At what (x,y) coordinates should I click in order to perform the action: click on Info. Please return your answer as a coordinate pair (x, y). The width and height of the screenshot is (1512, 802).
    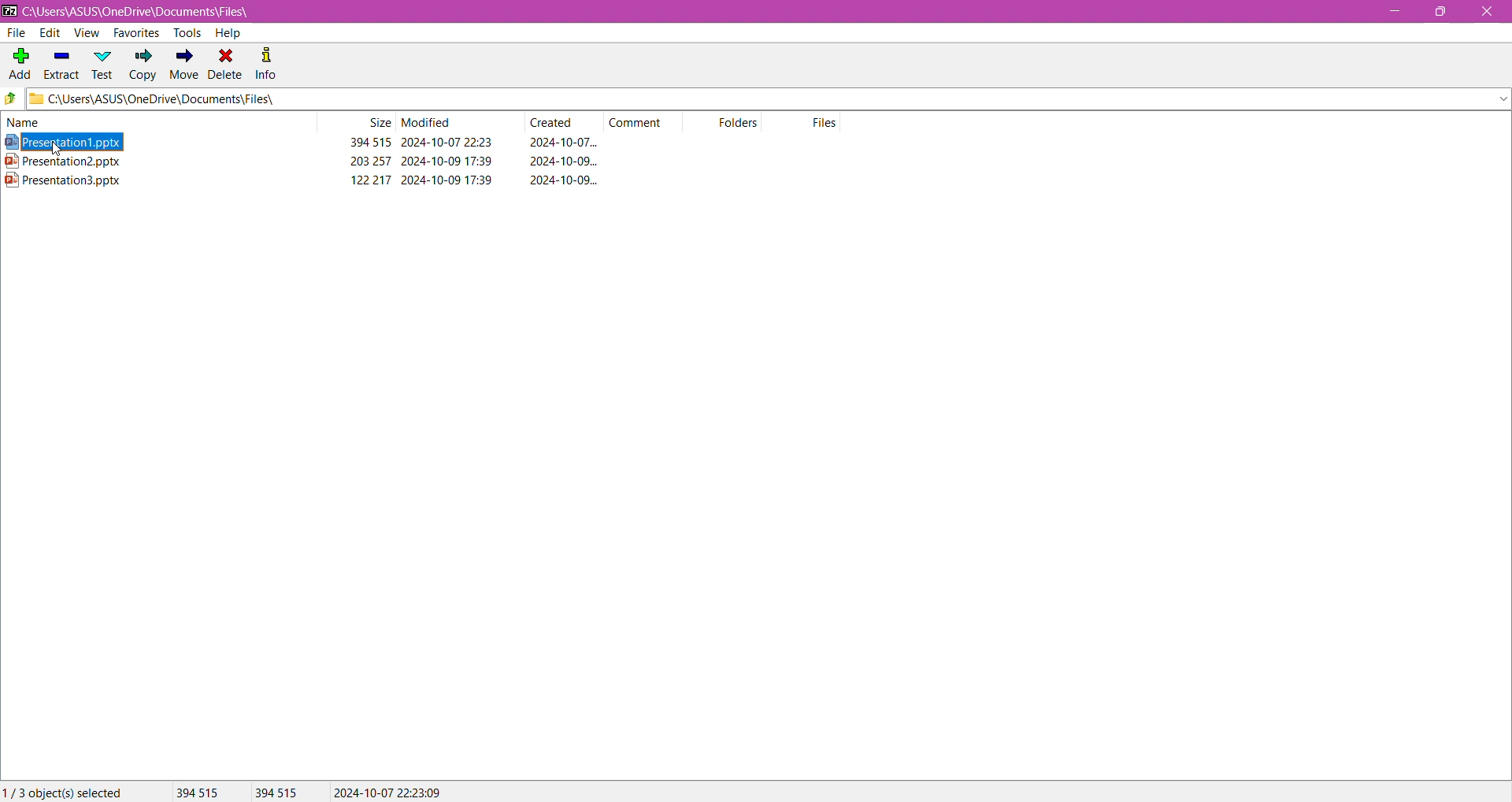
    Looking at the image, I should click on (267, 62).